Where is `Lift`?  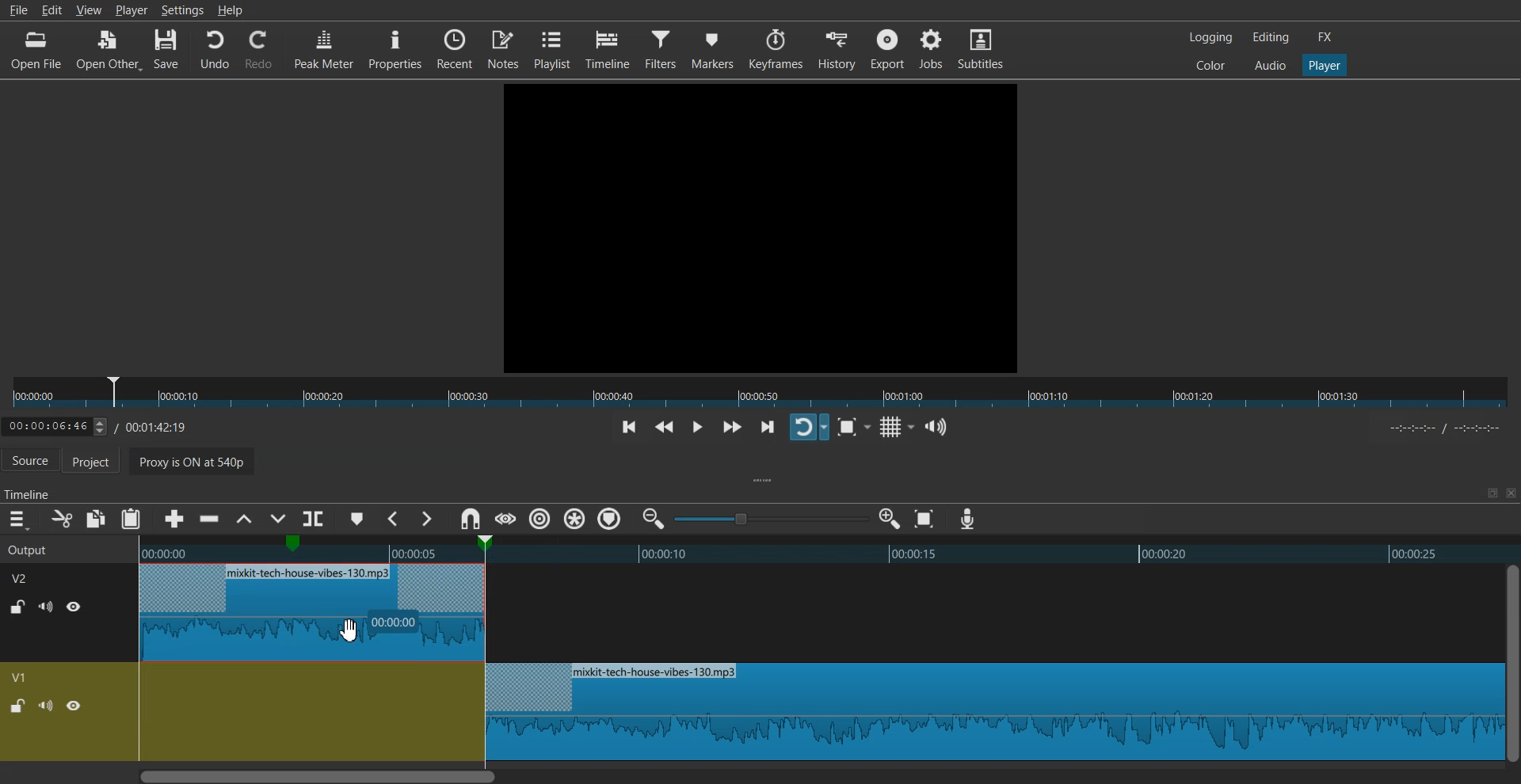 Lift is located at coordinates (243, 519).